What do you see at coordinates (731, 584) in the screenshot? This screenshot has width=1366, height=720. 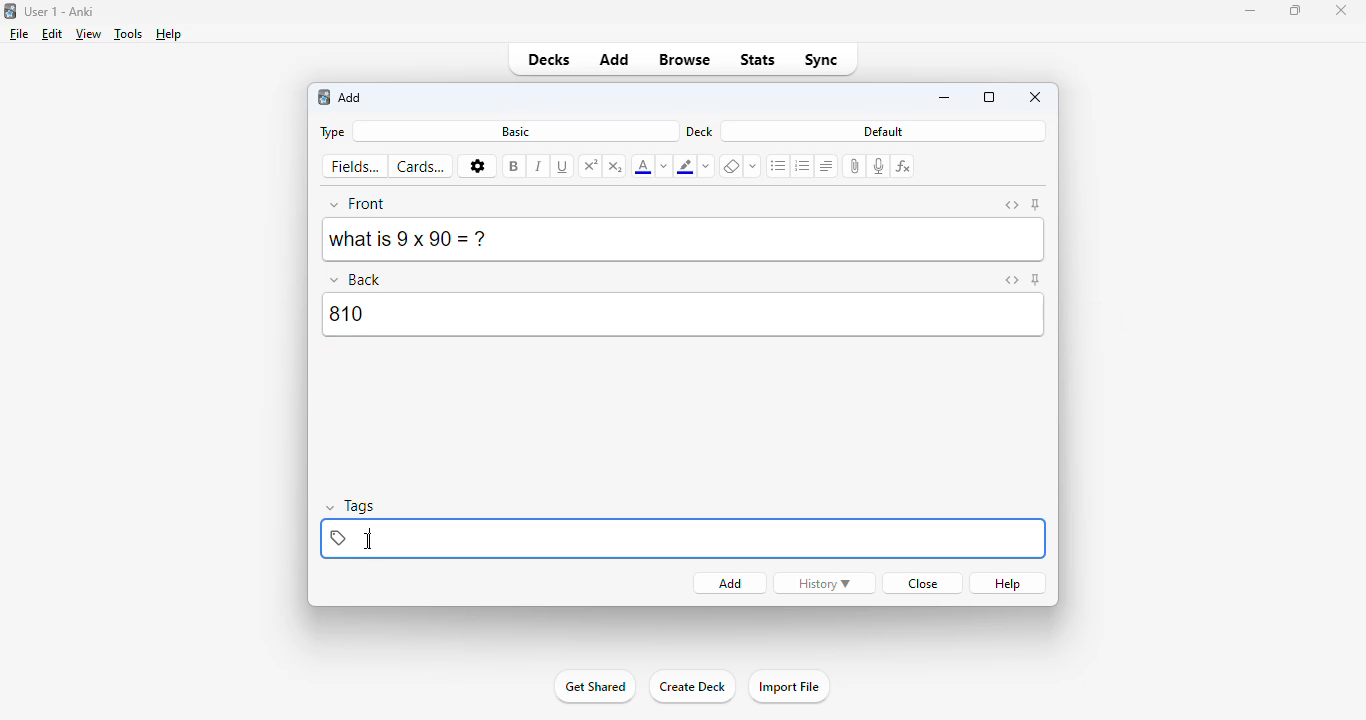 I see `add` at bounding box center [731, 584].